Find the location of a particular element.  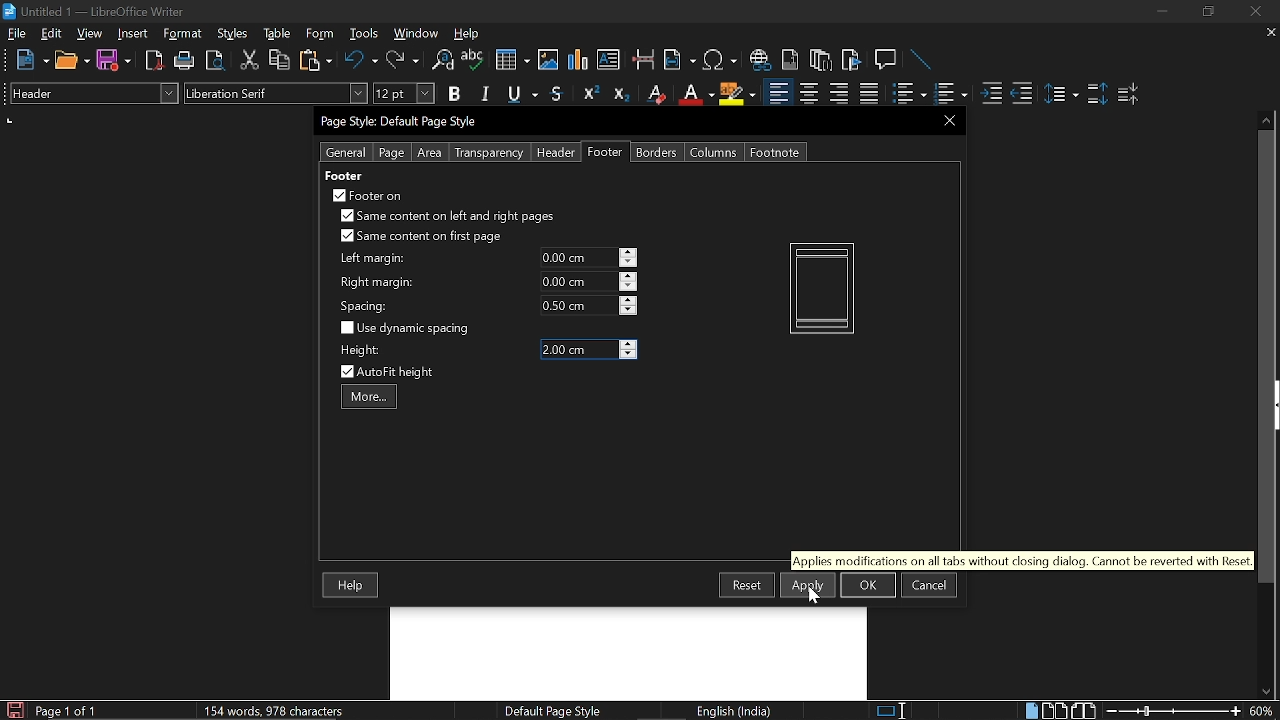

HElp is located at coordinates (468, 33).